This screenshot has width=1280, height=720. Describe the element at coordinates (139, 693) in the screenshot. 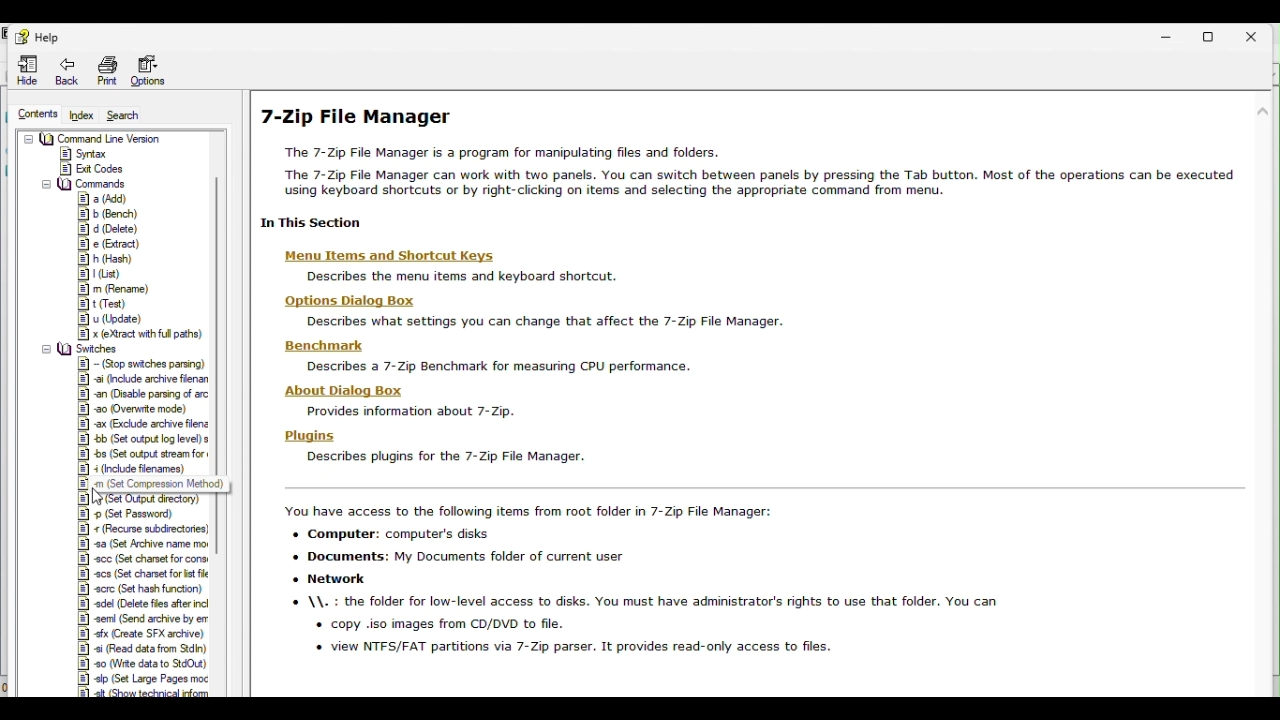

I see `slt` at that location.